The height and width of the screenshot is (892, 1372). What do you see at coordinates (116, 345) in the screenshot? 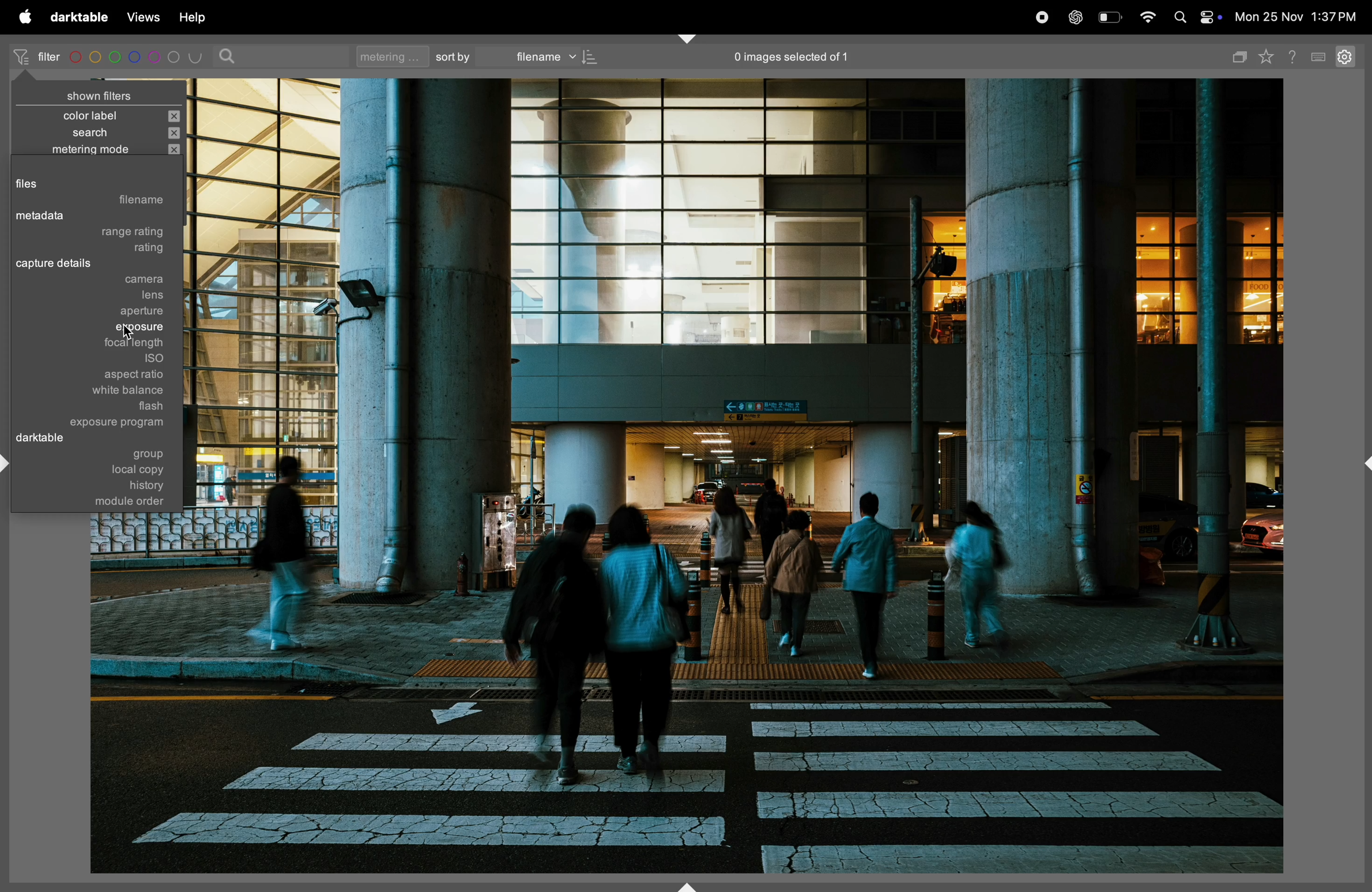
I see `focal length` at bounding box center [116, 345].